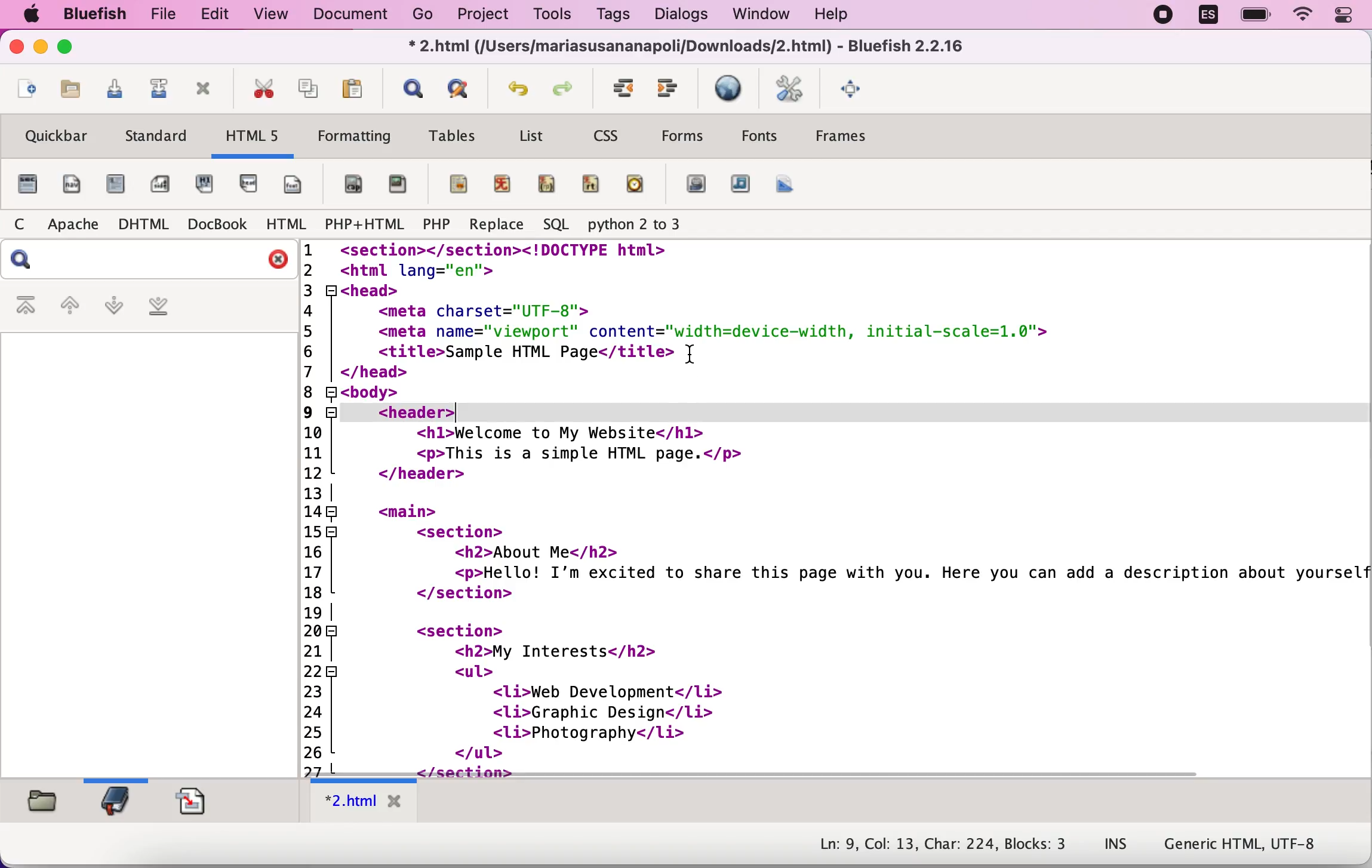 The image size is (1372, 868). Describe the element at coordinates (275, 15) in the screenshot. I see `view` at that location.